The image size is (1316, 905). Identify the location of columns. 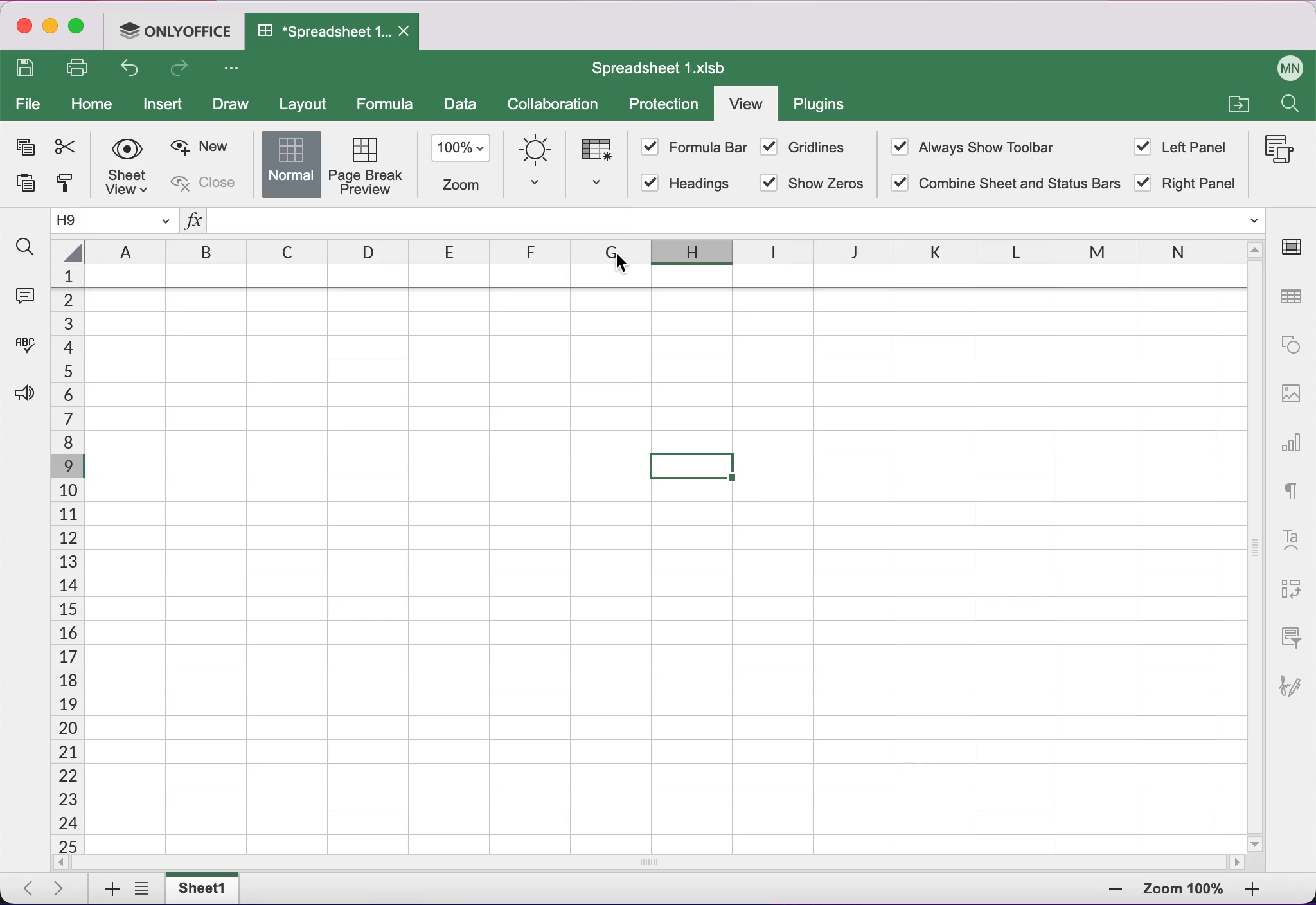
(643, 249).